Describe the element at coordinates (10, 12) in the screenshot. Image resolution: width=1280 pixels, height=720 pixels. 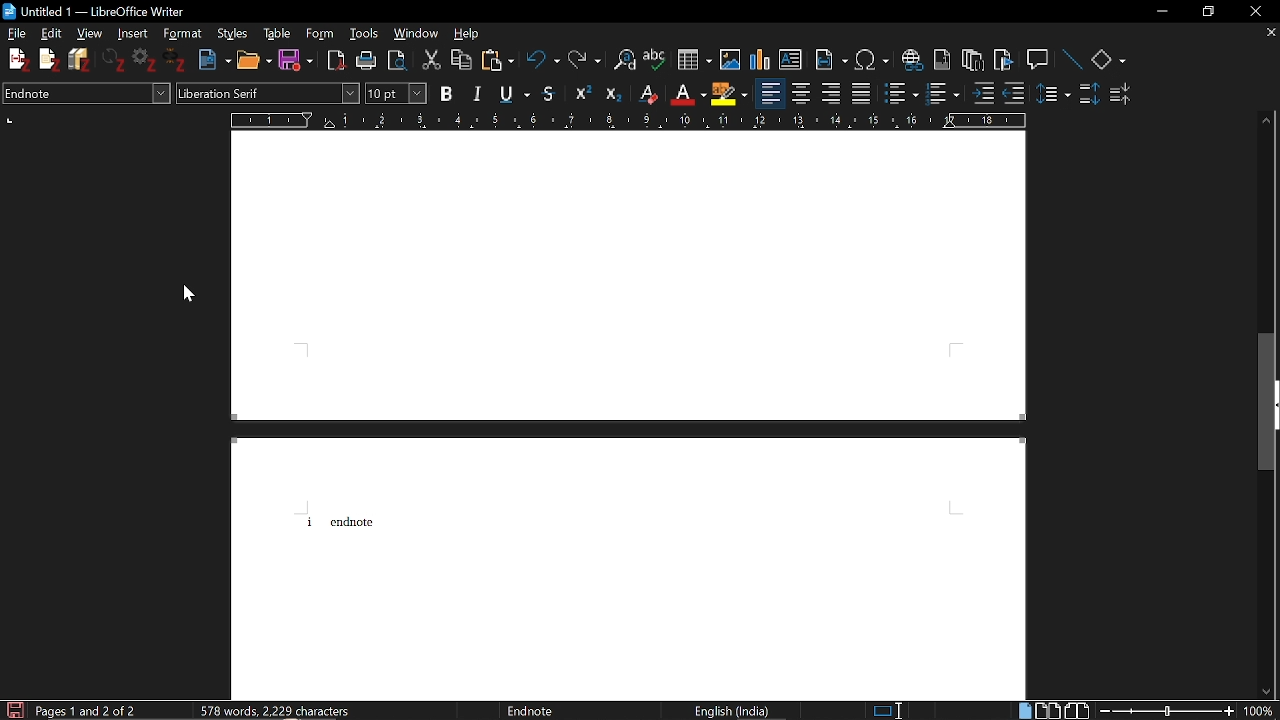
I see `icon` at that location.